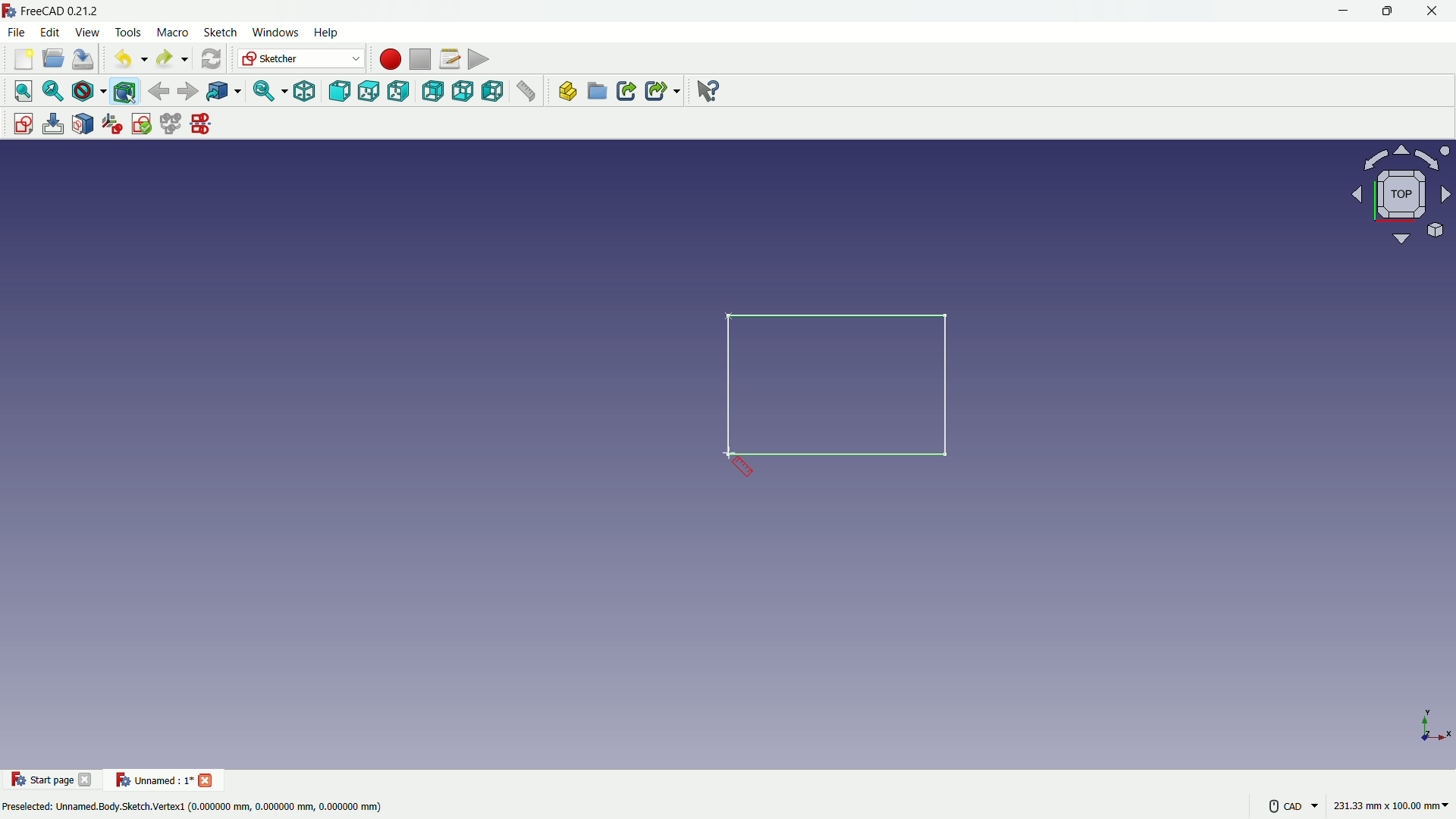 The width and height of the screenshot is (1456, 819). What do you see at coordinates (1389, 11) in the screenshot?
I see `maximize or restore` at bounding box center [1389, 11].